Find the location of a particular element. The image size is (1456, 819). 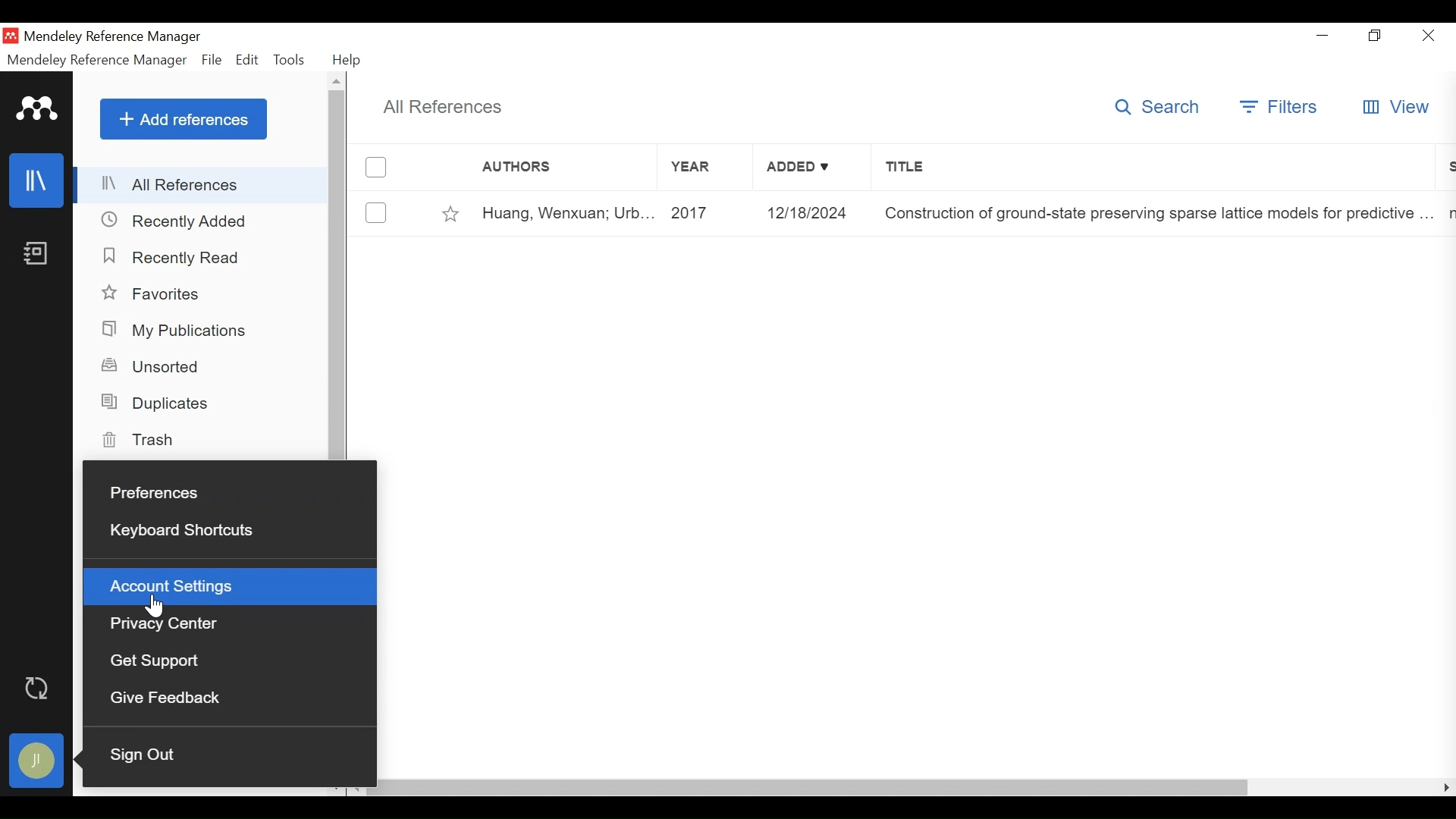

Edit is located at coordinates (247, 60).